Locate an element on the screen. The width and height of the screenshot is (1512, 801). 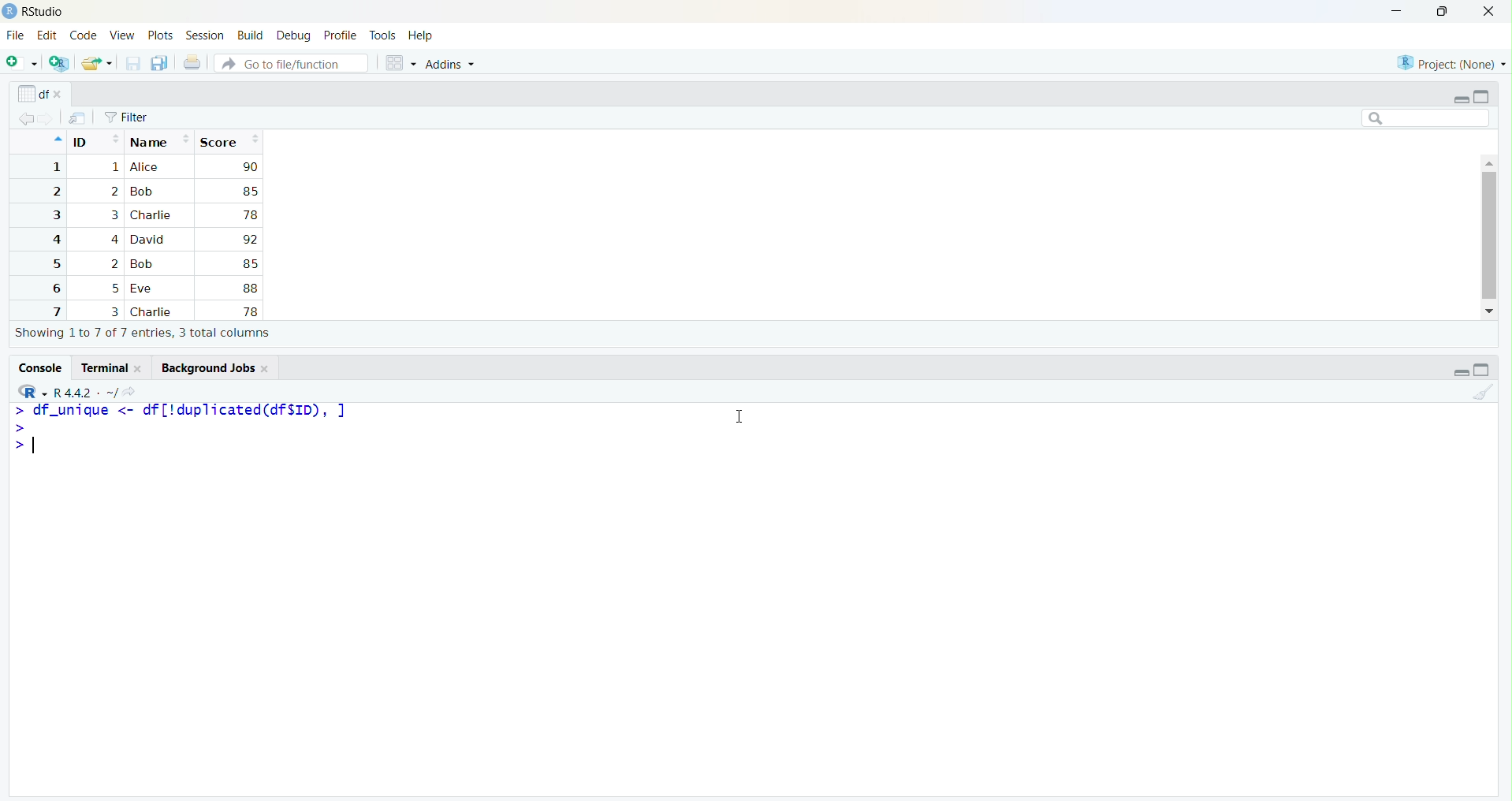
new file is located at coordinates (23, 62).